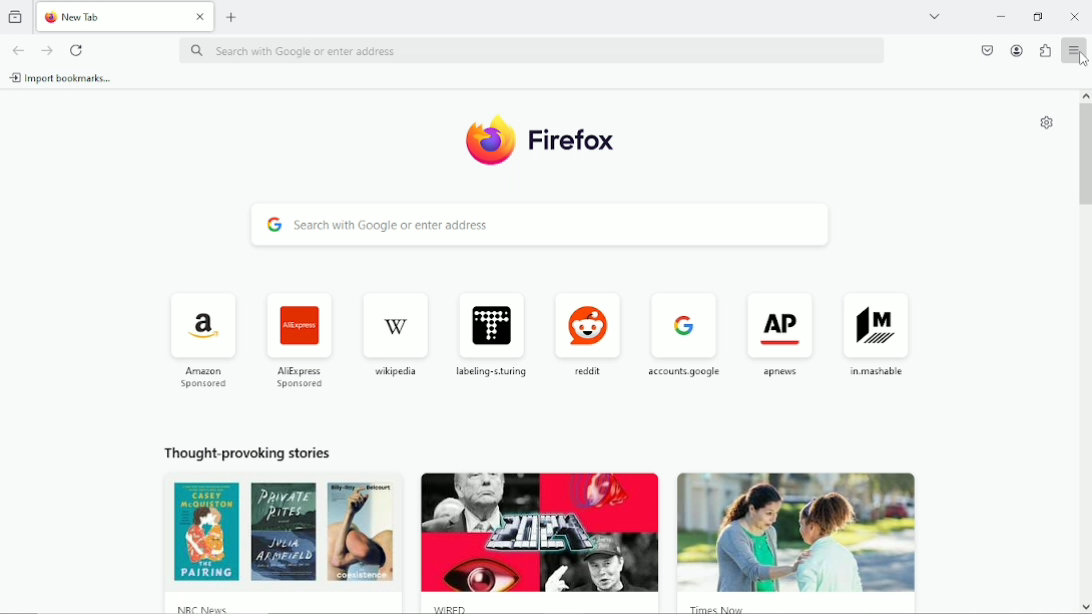  I want to click on Import bookmarks, so click(63, 79).